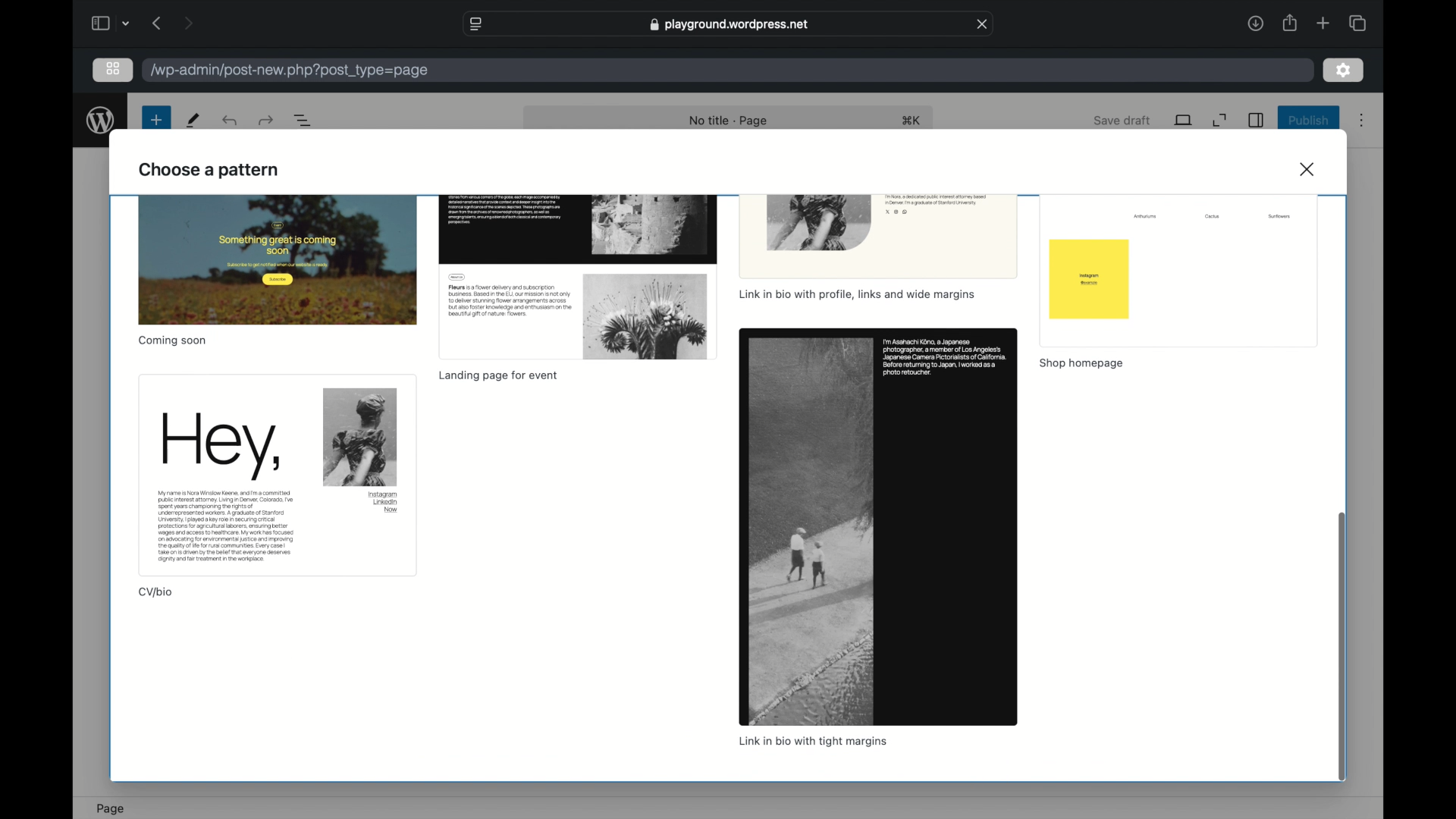  What do you see at coordinates (730, 121) in the screenshot?
I see `no title - page` at bounding box center [730, 121].